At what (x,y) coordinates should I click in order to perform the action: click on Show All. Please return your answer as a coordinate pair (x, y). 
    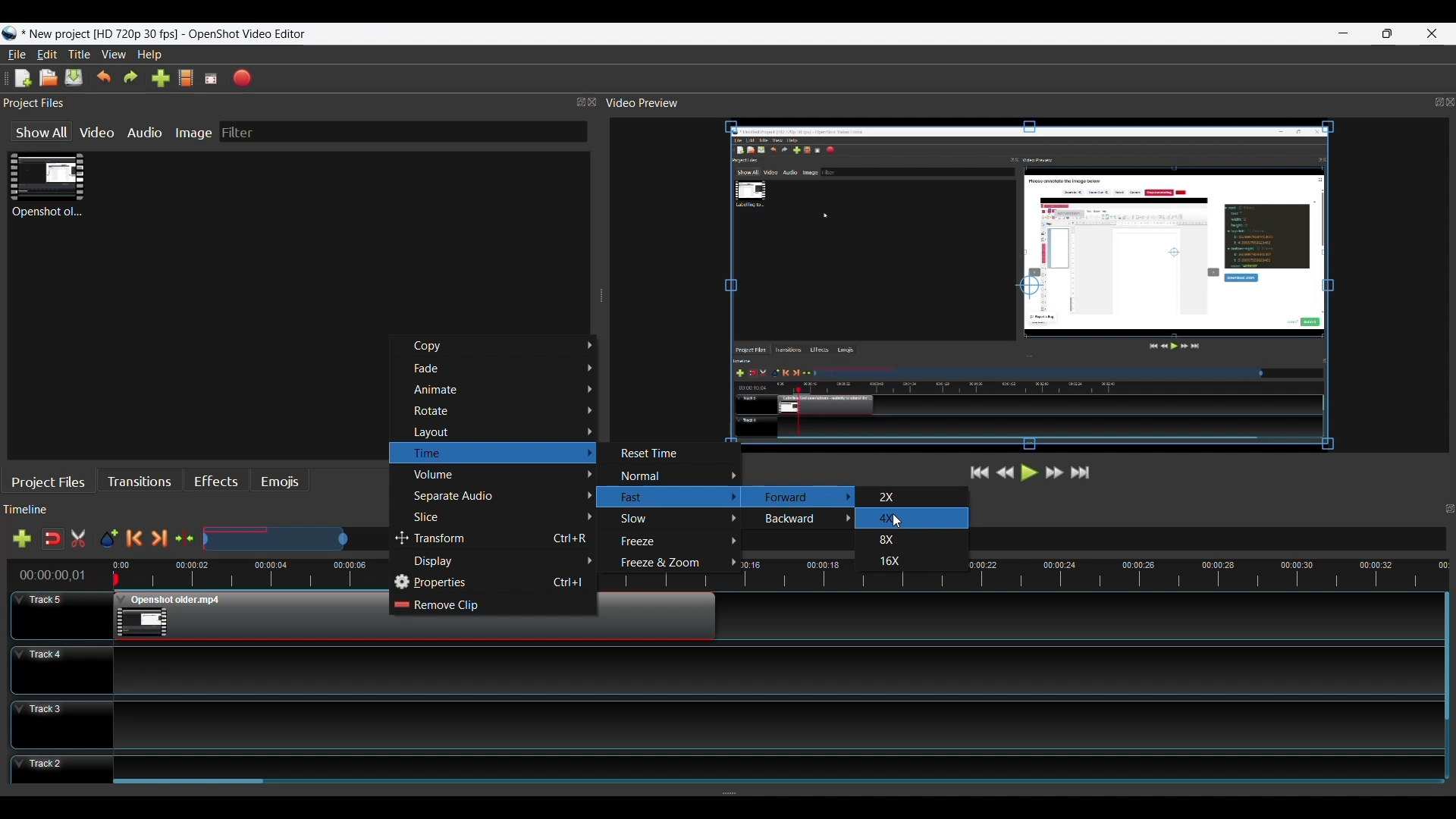
    Looking at the image, I should click on (39, 132).